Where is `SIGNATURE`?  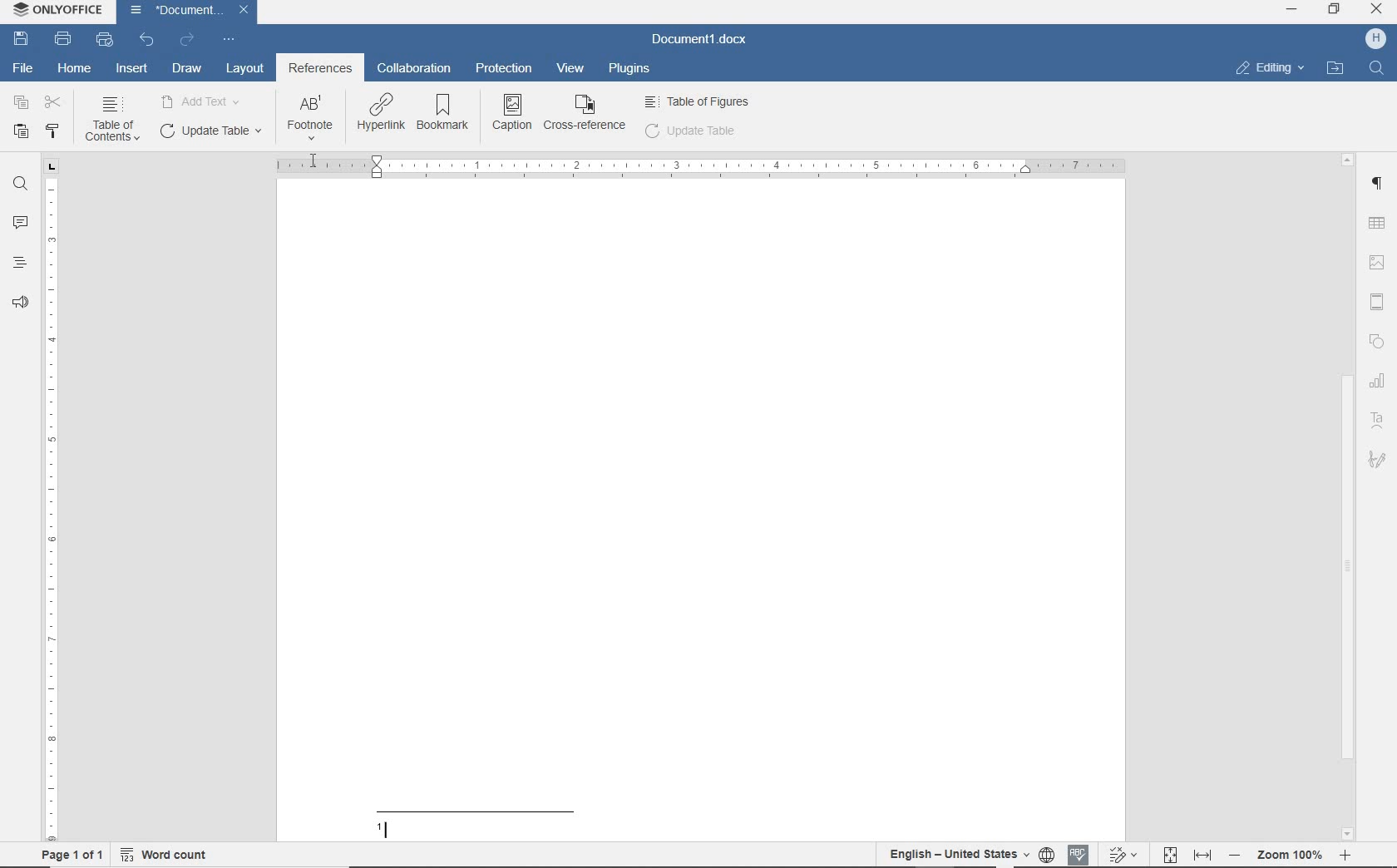
SIGNATURE is located at coordinates (1377, 461).